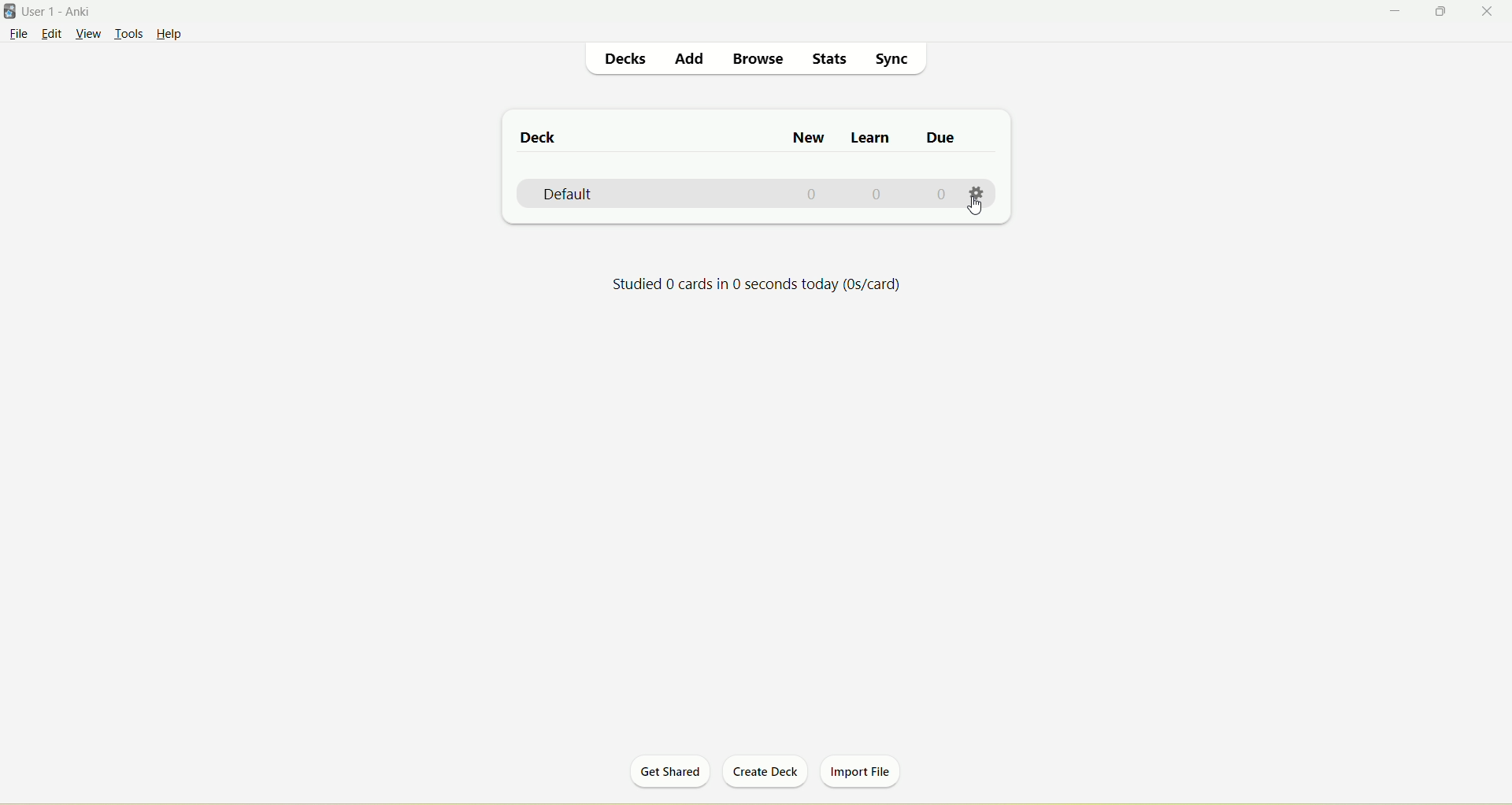 This screenshot has height=805, width=1512. Describe the element at coordinates (811, 139) in the screenshot. I see `new` at that location.